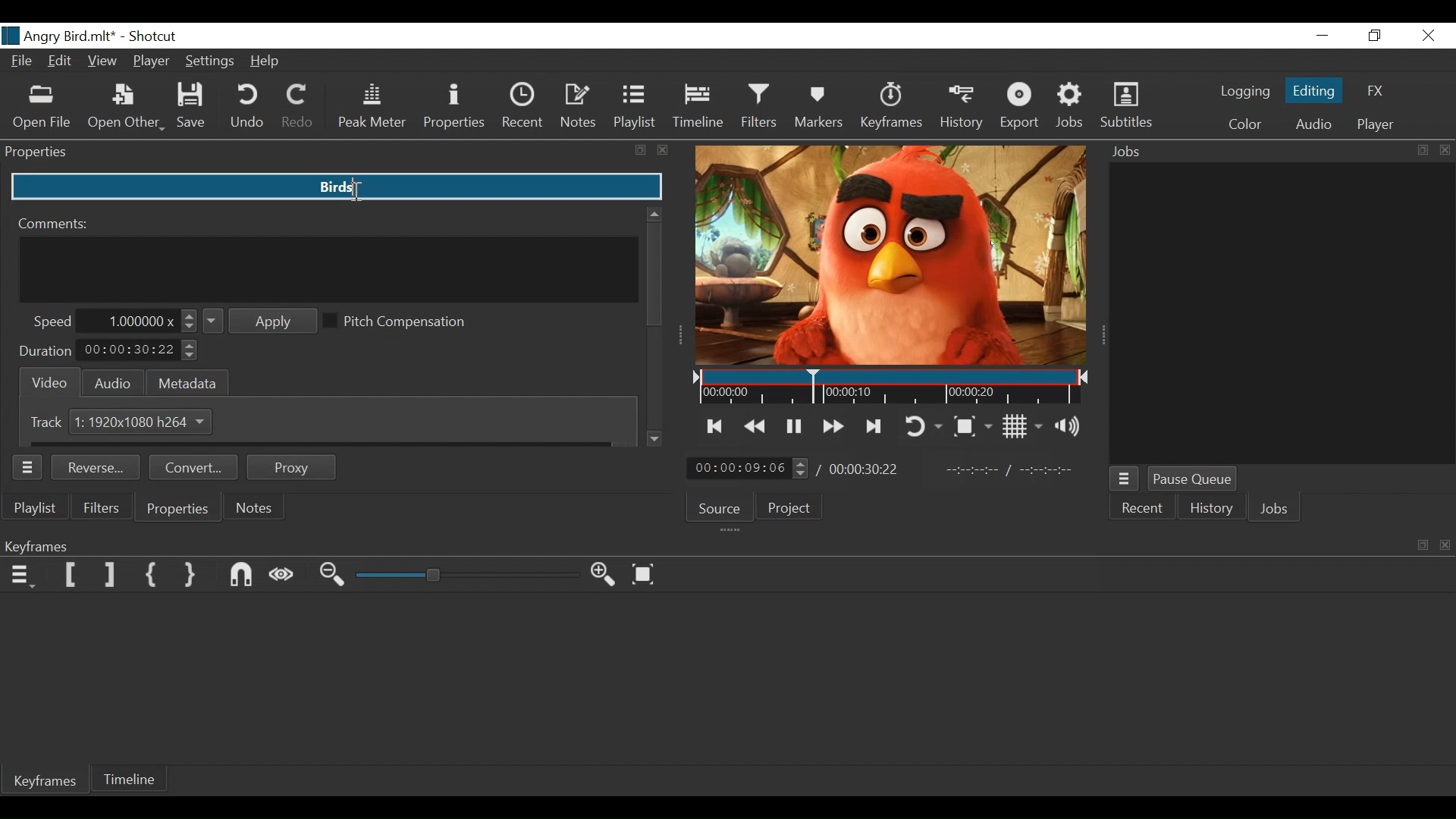  Describe the element at coordinates (131, 781) in the screenshot. I see `Timeline` at that location.